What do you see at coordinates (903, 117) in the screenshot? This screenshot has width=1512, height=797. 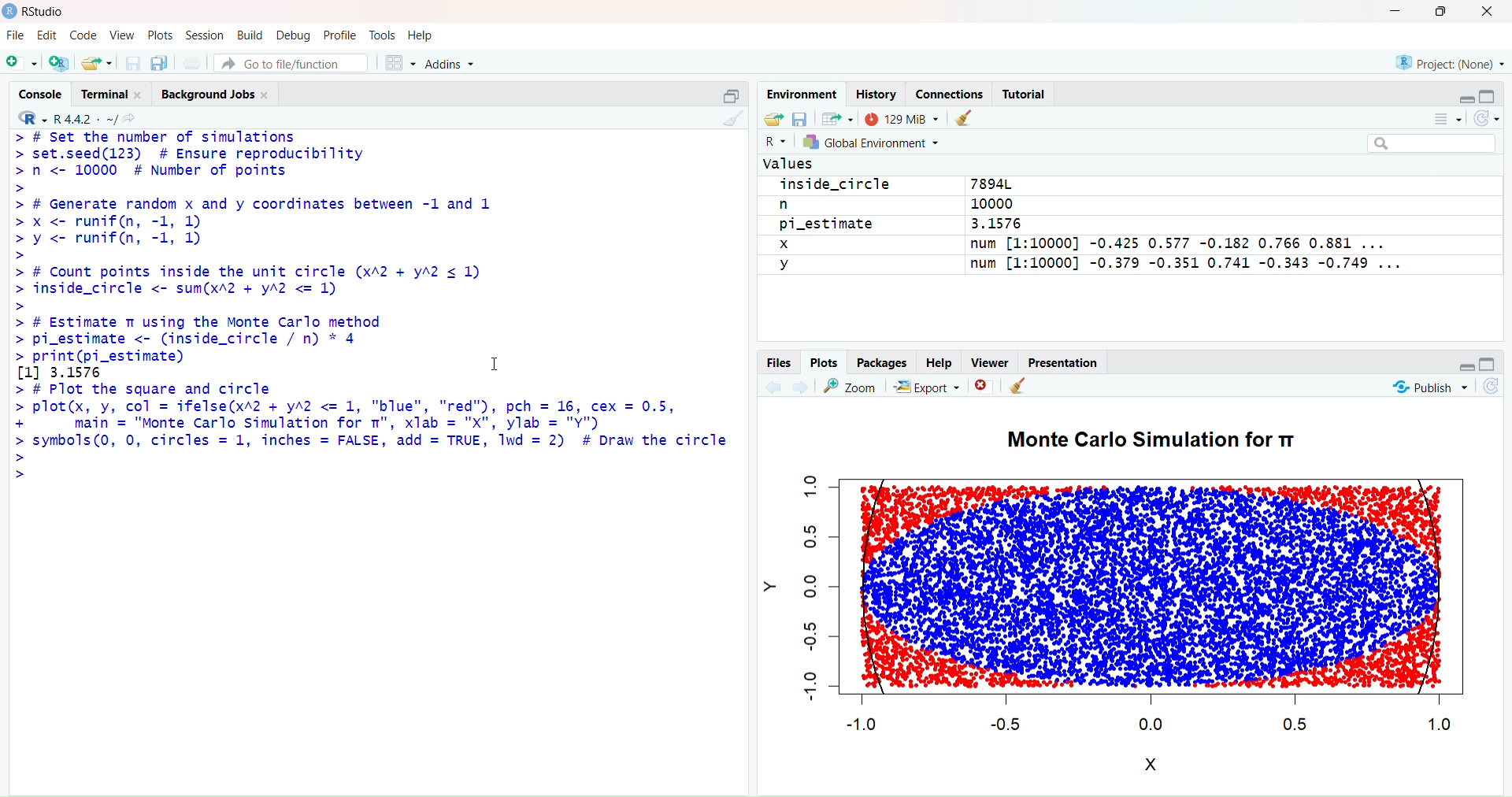 I see `kib used by R session (Source: Windows System)` at bounding box center [903, 117].